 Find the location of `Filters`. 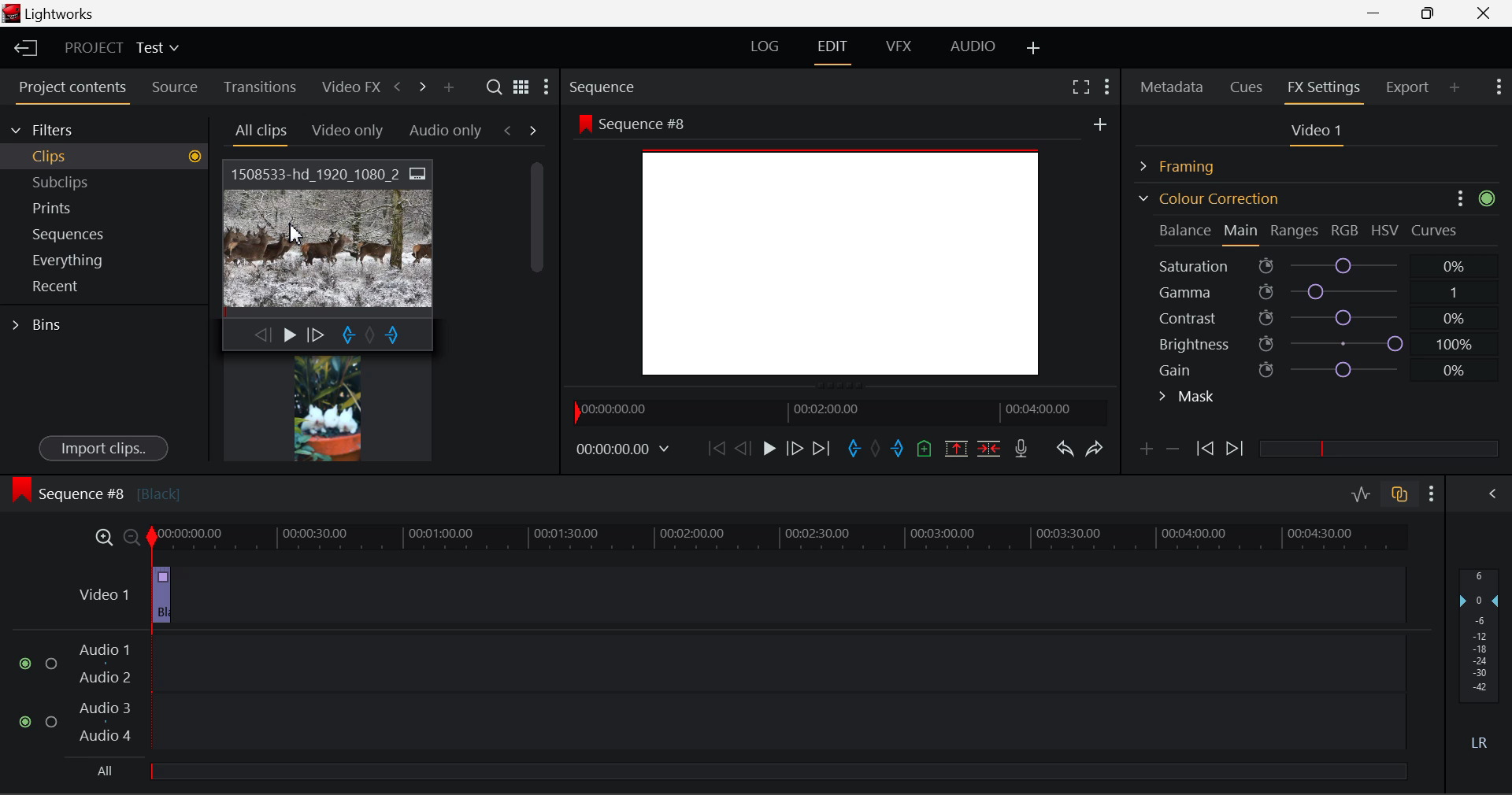

Filters is located at coordinates (57, 128).